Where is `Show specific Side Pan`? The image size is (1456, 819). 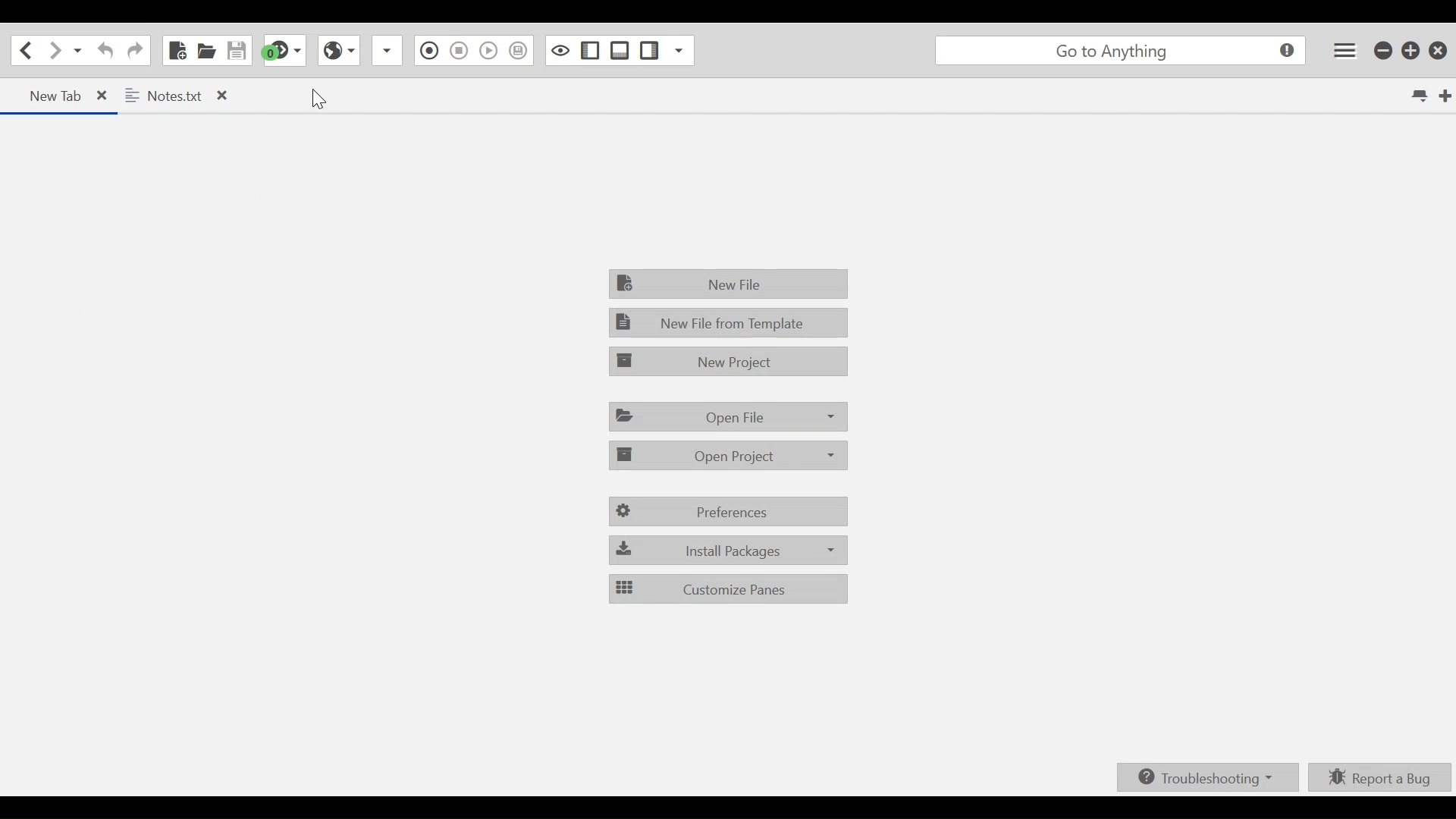
Show specific Side Pan is located at coordinates (588, 48).